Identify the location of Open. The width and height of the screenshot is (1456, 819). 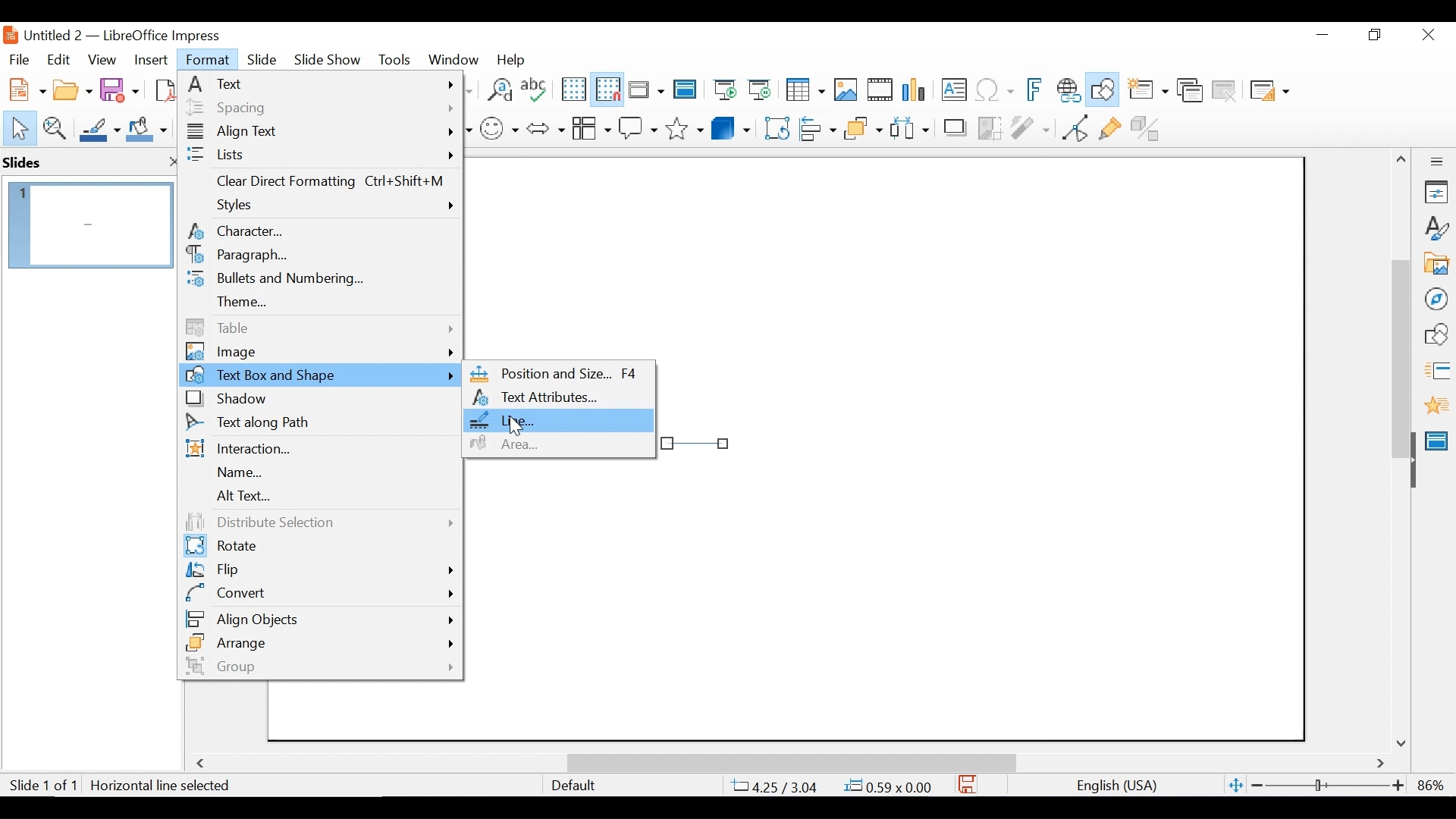
(72, 88).